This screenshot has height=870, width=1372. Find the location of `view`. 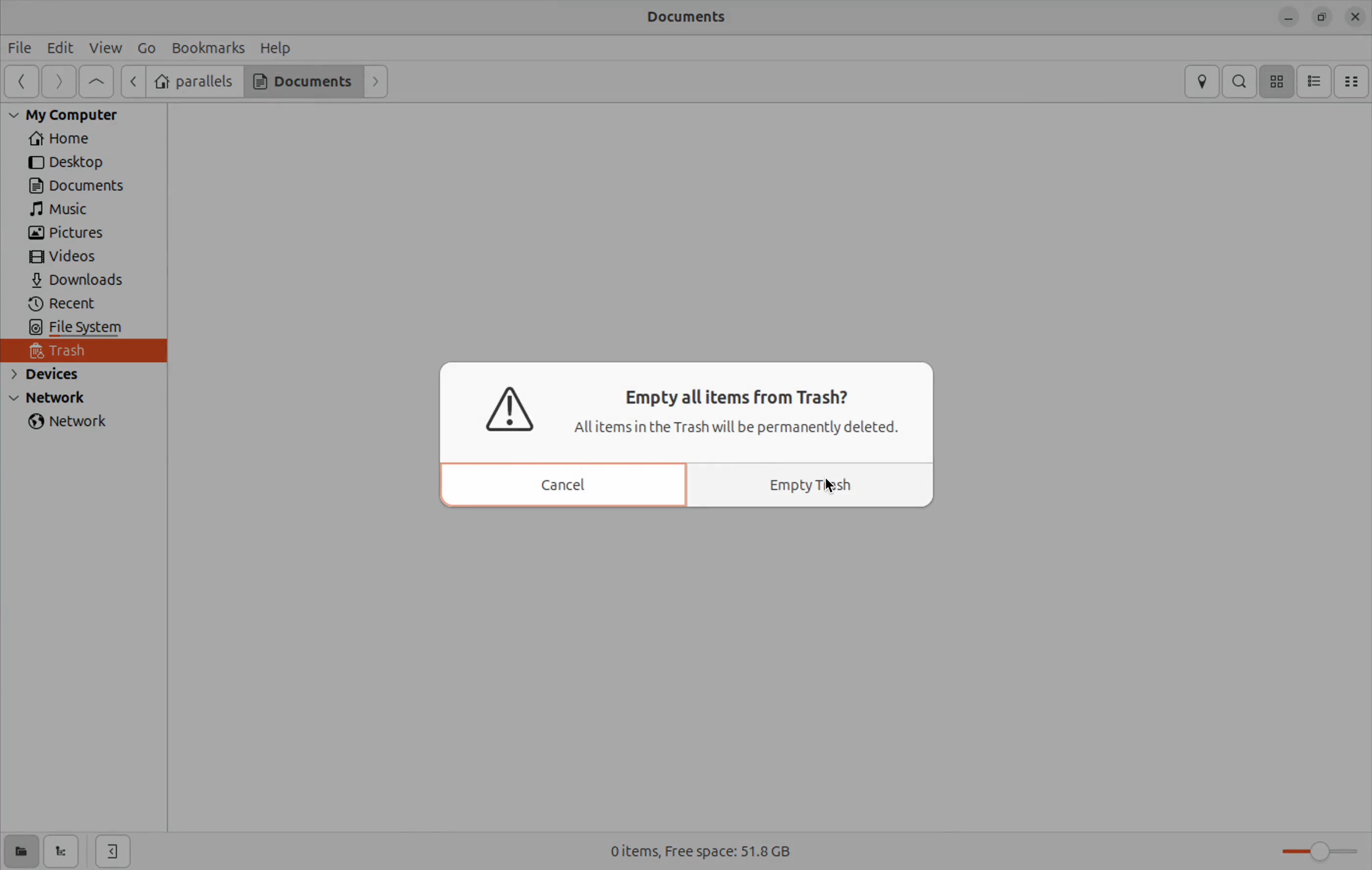

view is located at coordinates (105, 47).